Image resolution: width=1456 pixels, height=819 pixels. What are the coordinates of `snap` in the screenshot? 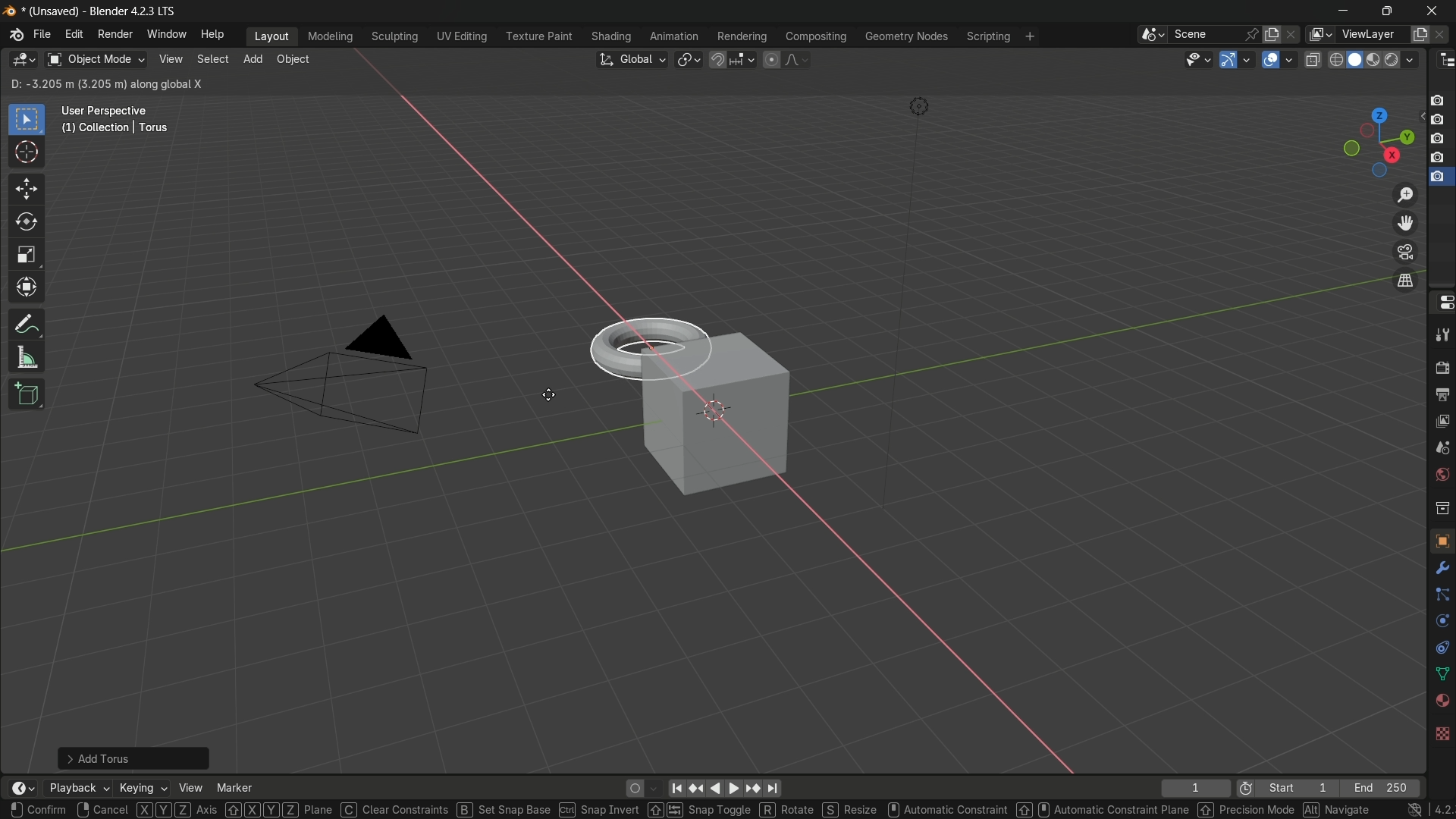 It's located at (731, 59).